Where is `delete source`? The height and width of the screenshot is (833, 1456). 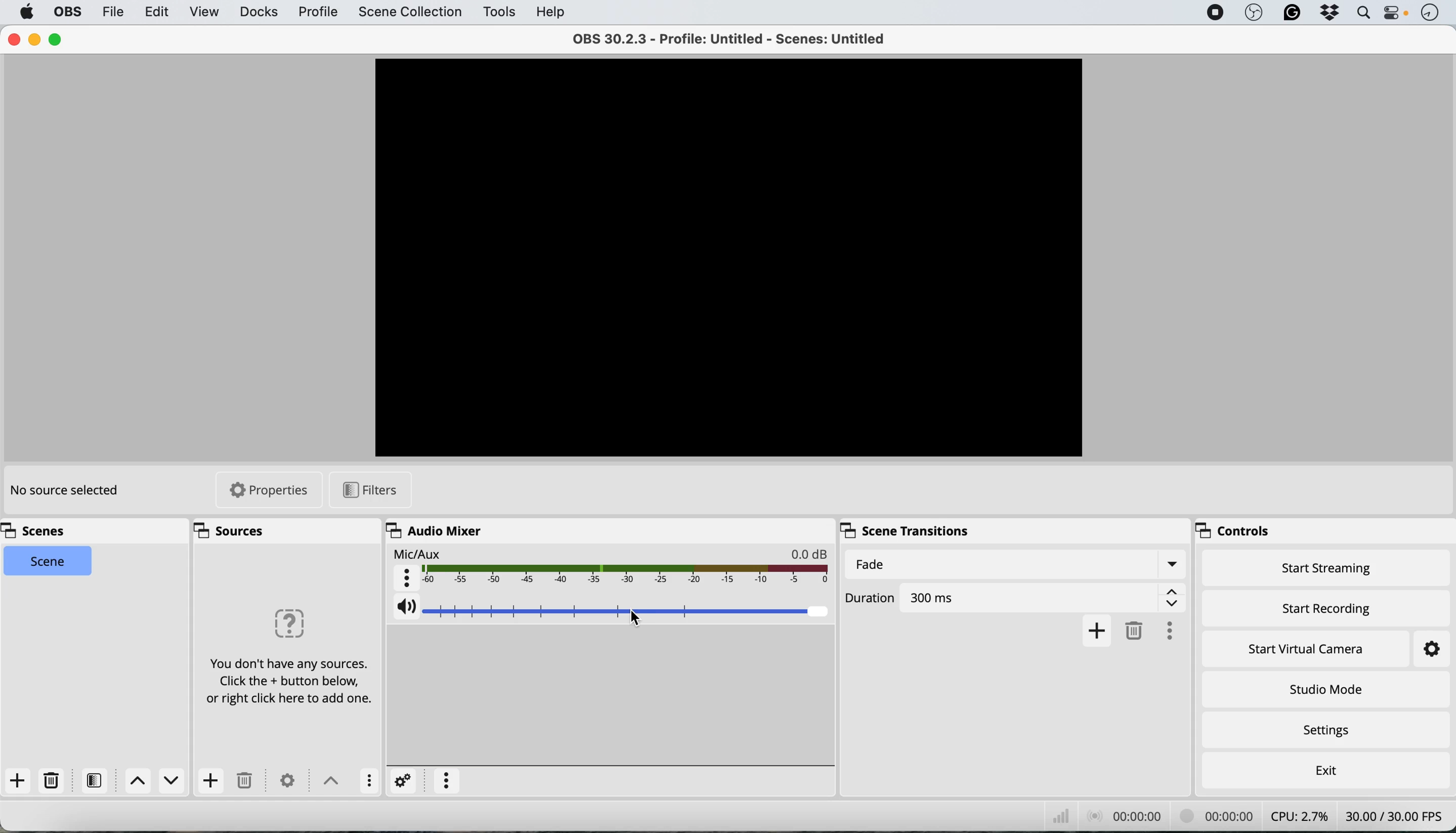
delete source is located at coordinates (247, 782).